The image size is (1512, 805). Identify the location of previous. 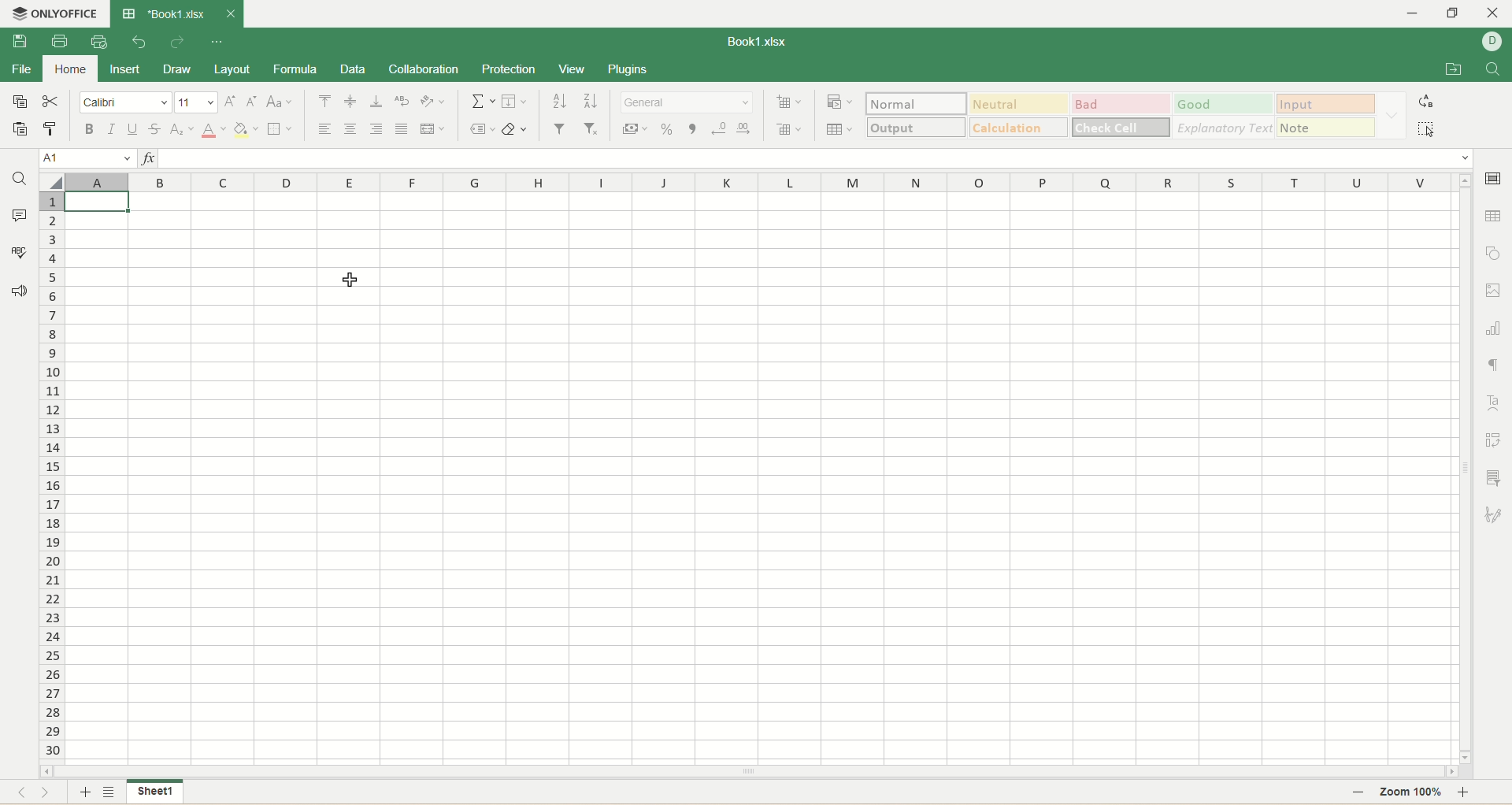
(23, 794).